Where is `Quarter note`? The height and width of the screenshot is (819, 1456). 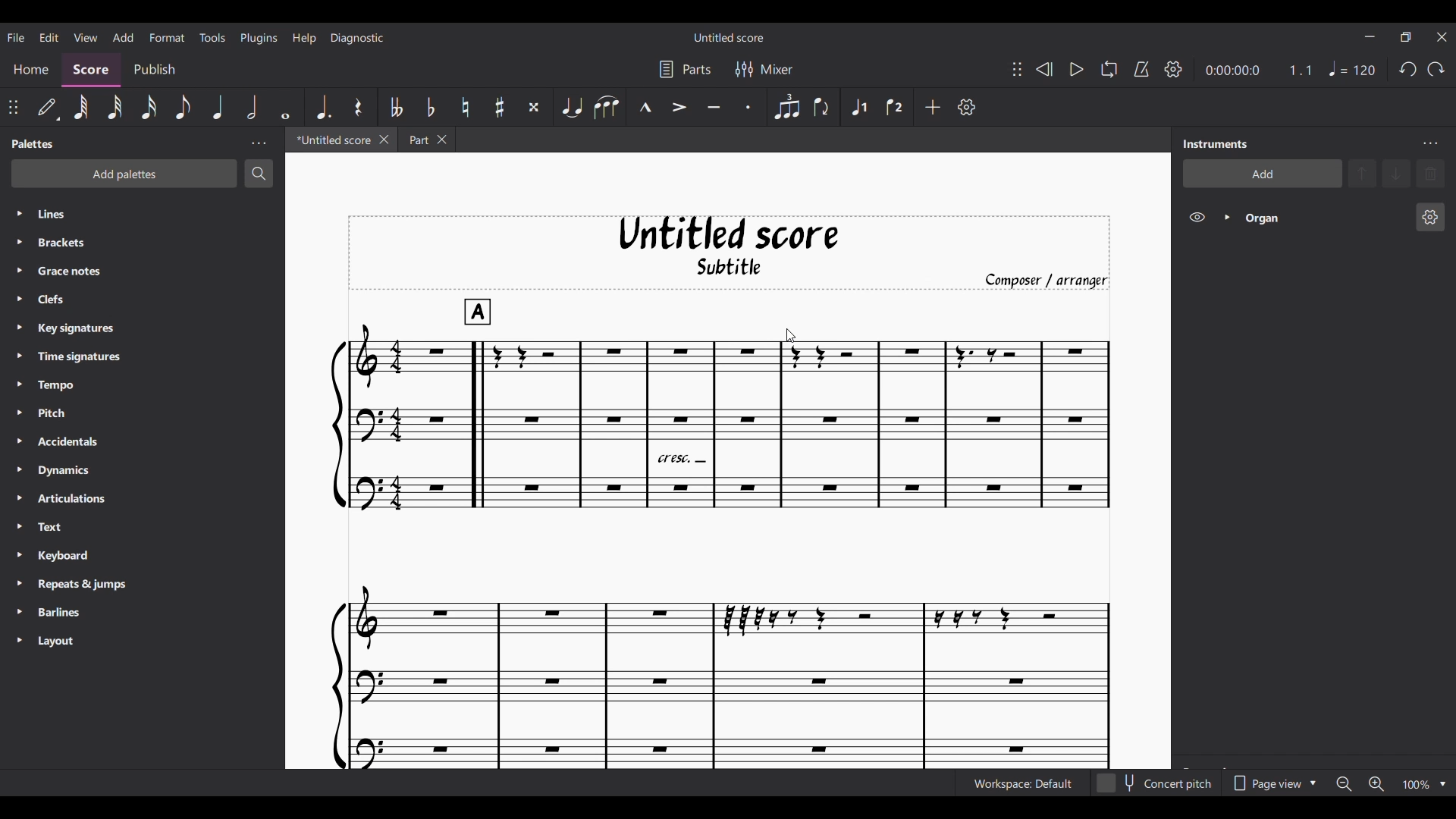 Quarter note is located at coordinates (217, 108).